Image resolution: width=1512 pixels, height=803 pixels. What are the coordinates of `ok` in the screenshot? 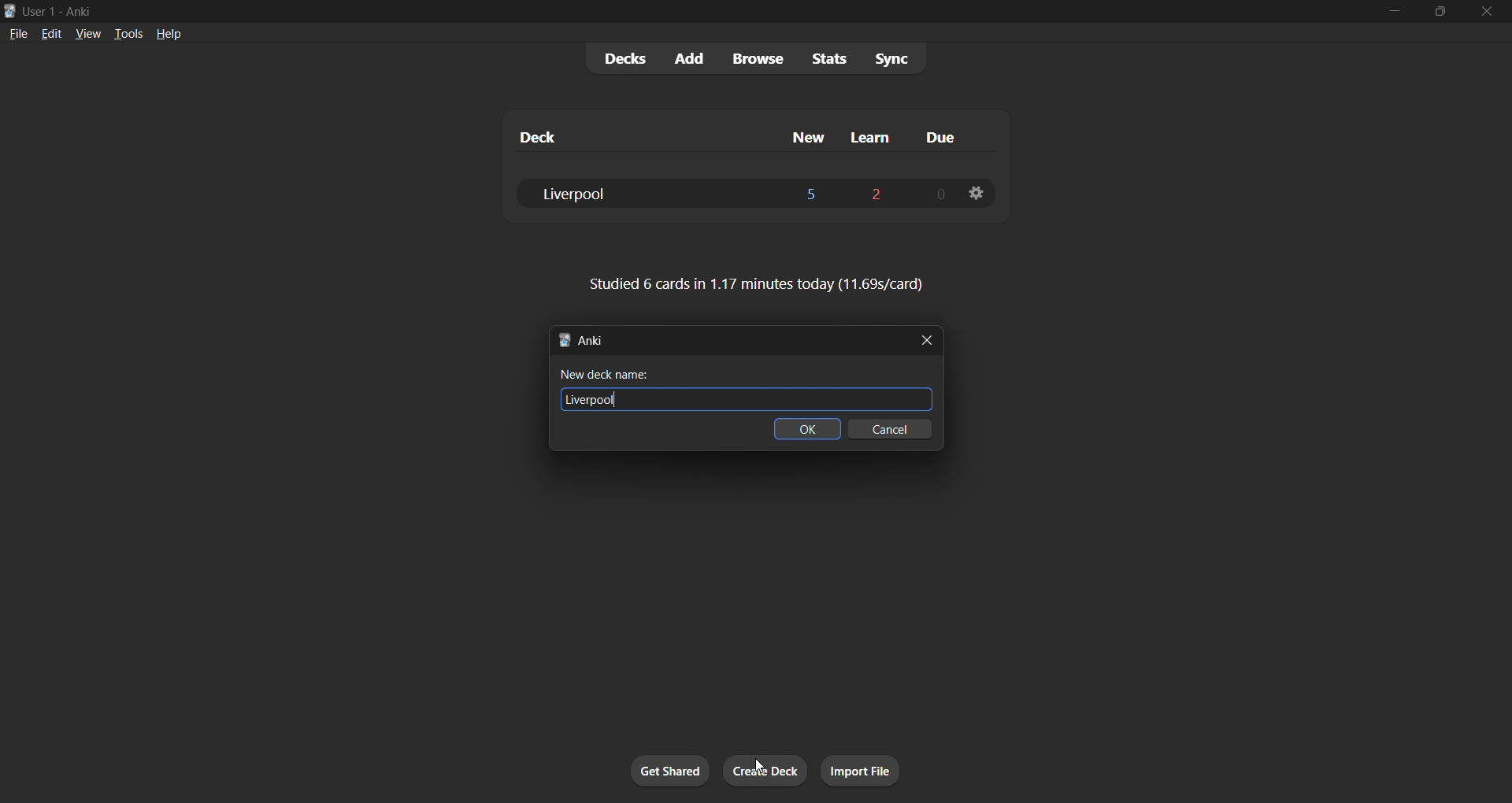 It's located at (805, 428).